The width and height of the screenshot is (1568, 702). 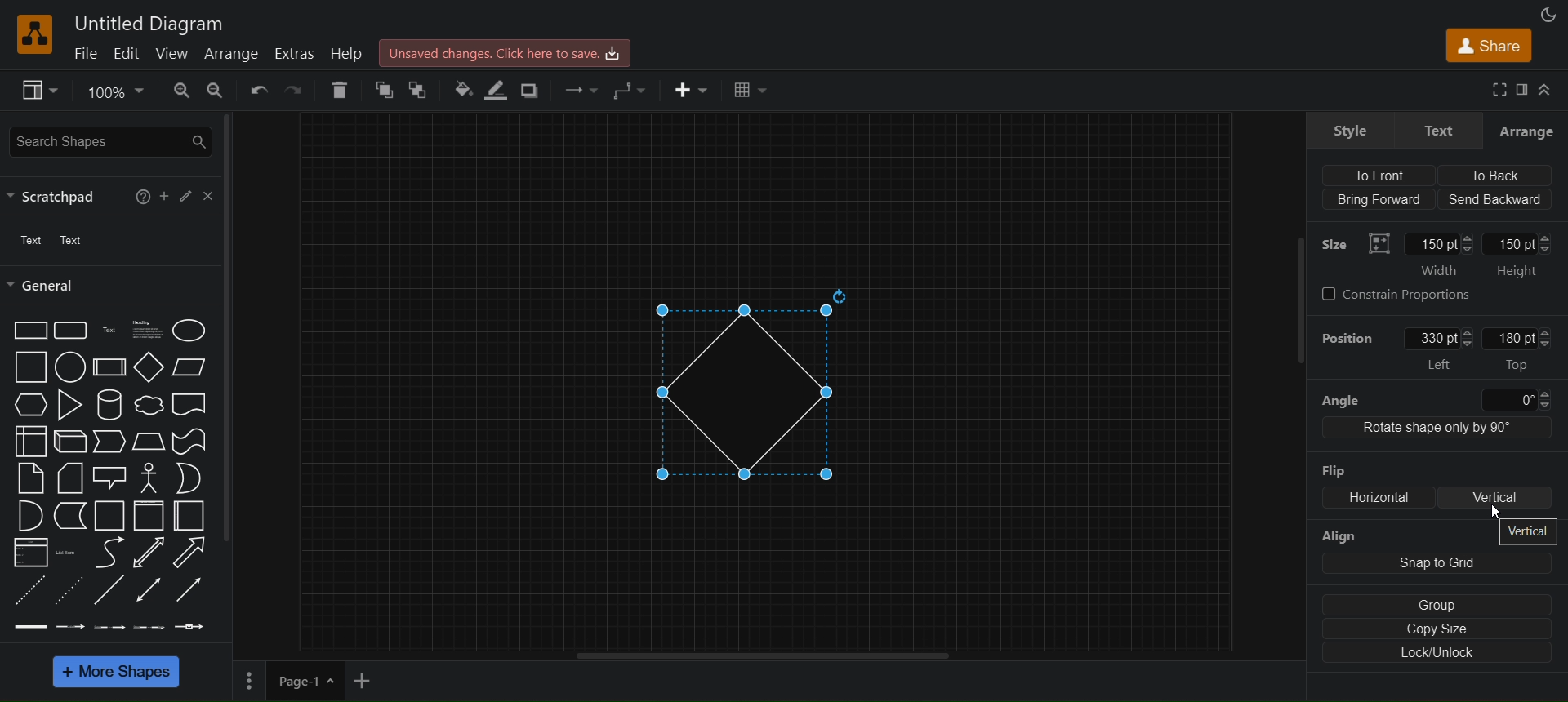 What do you see at coordinates (30, 478) in the screenshot?
I see `note` at bounding box center [30, 478].